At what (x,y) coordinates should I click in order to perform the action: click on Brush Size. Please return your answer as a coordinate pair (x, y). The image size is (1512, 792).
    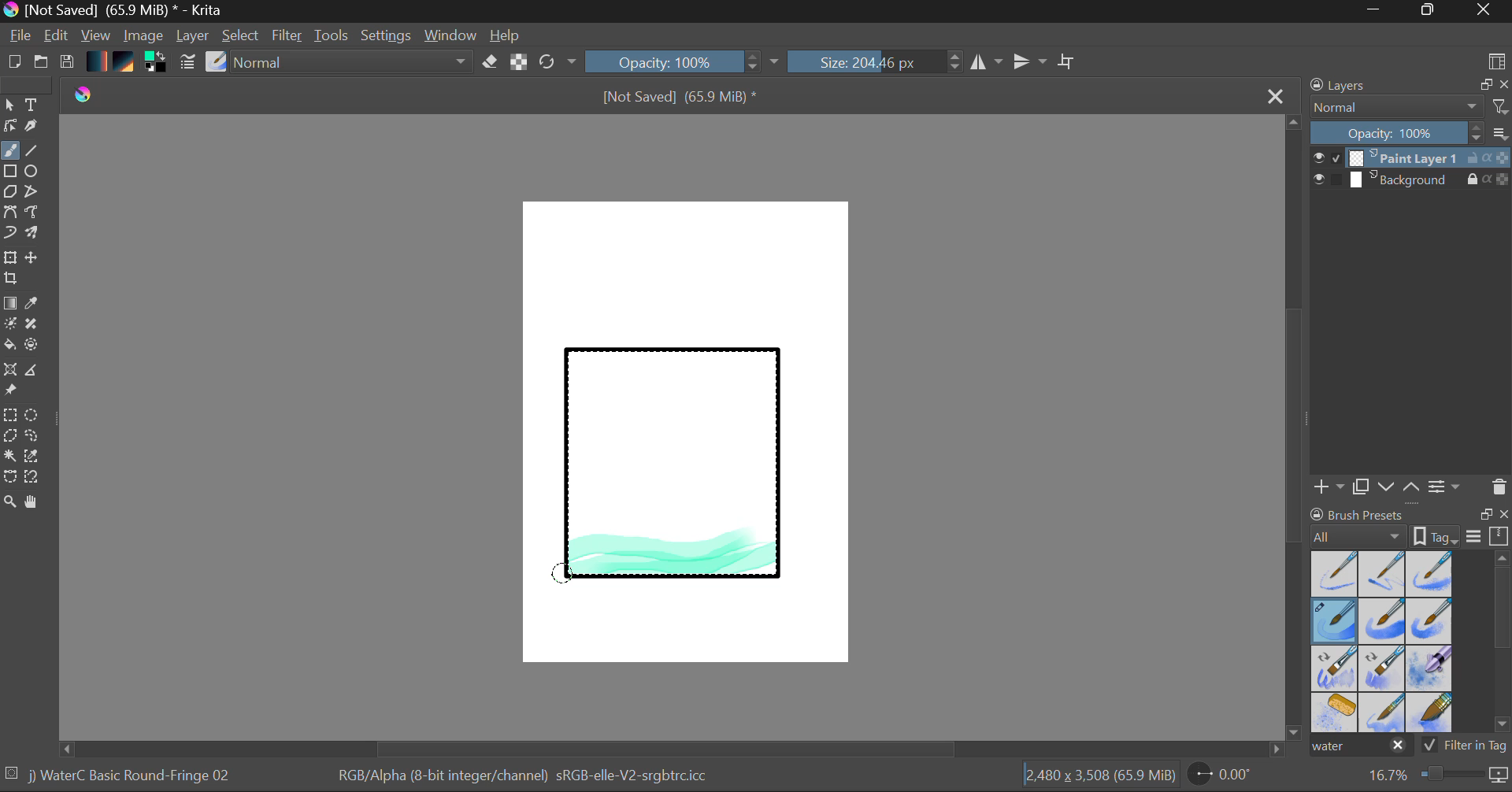
    Looking at the image, I should click on (876, 61).